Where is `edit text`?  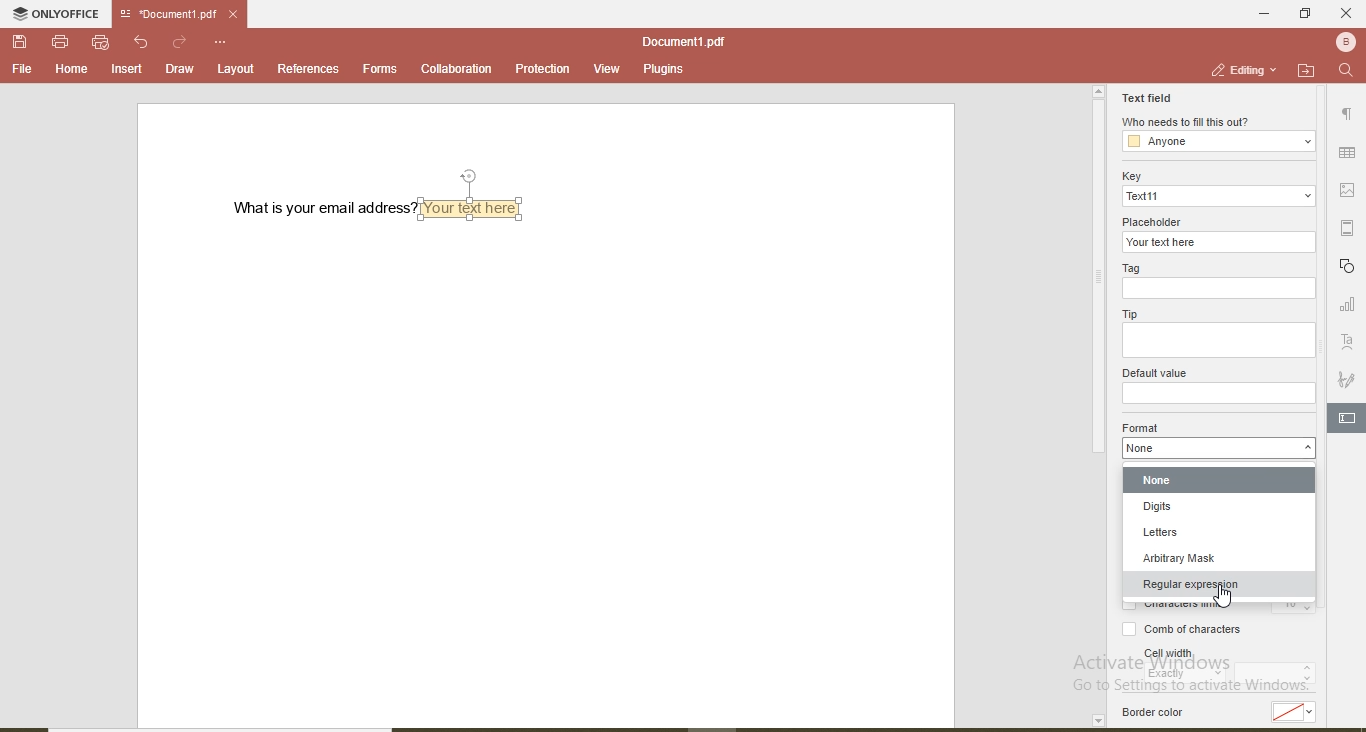
edit text is located at coordinates (1350, 416).